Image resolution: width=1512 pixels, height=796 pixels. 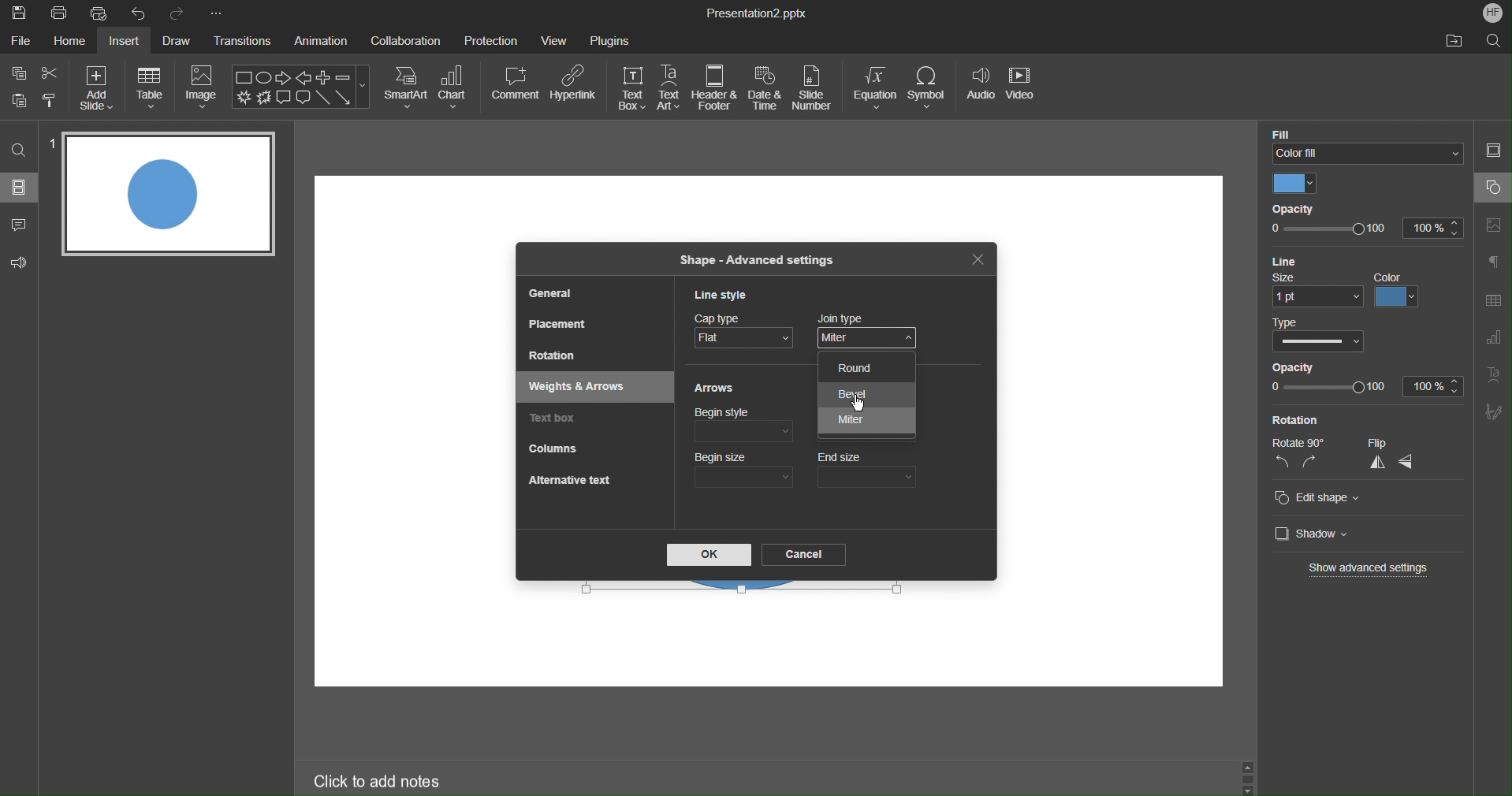 What do you see at coordinates (1494, 261) in the screenshot?
I see `Paragraphs` at bounding box center [1494, 261].